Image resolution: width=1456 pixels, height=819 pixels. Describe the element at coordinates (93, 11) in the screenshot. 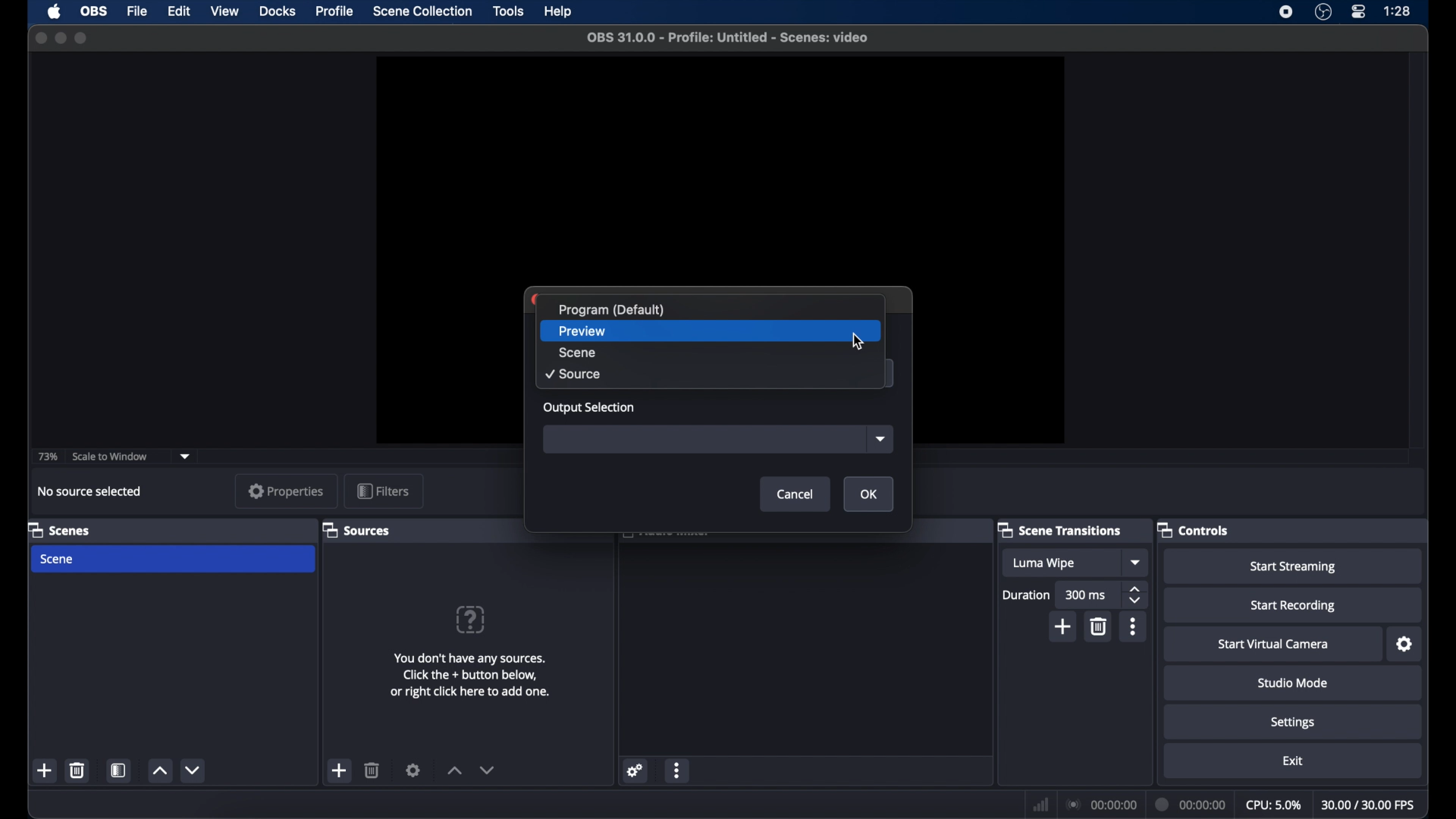

I see `obs` at that location.